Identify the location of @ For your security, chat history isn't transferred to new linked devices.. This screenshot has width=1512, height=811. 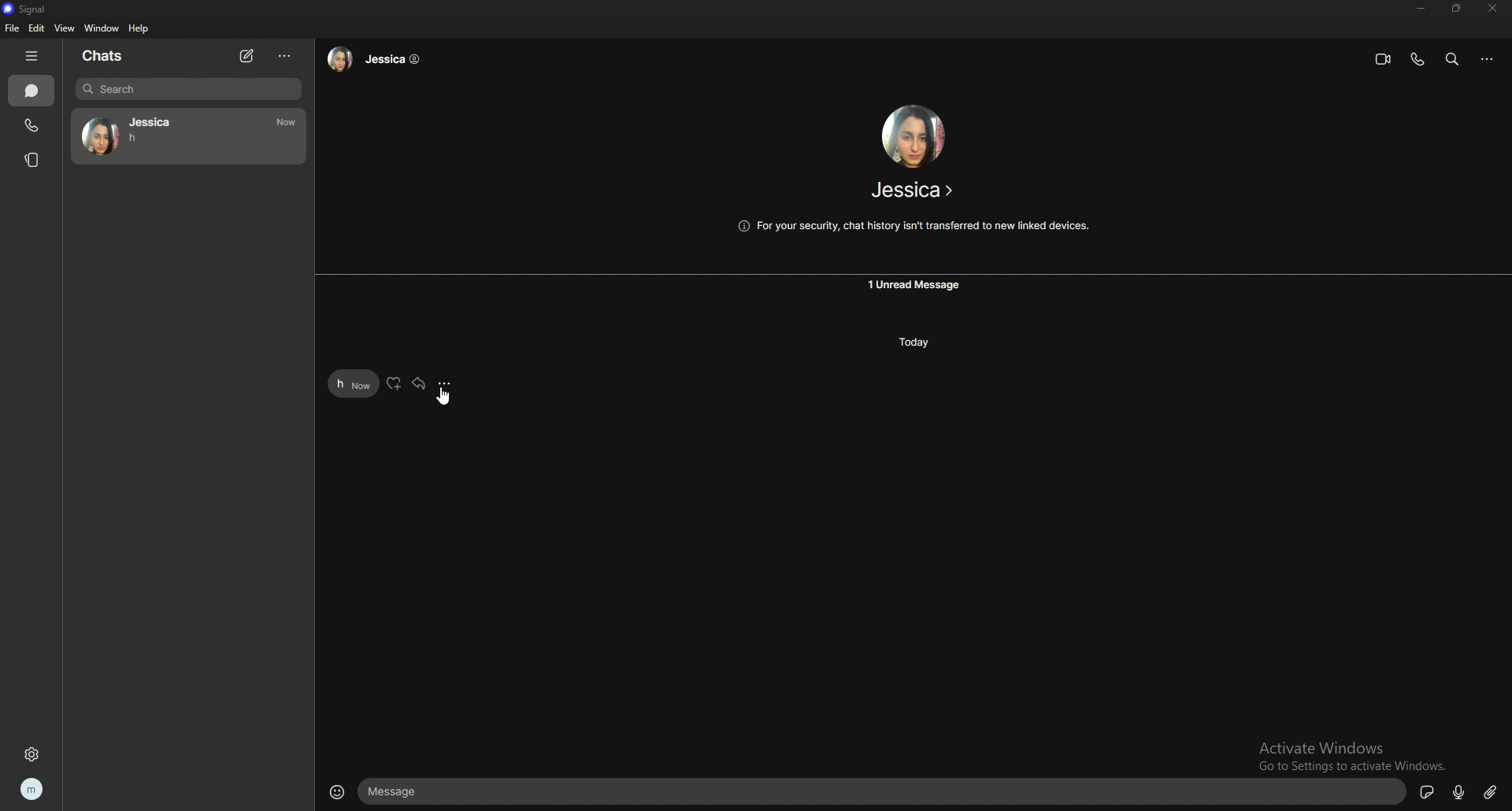
(905, 224).